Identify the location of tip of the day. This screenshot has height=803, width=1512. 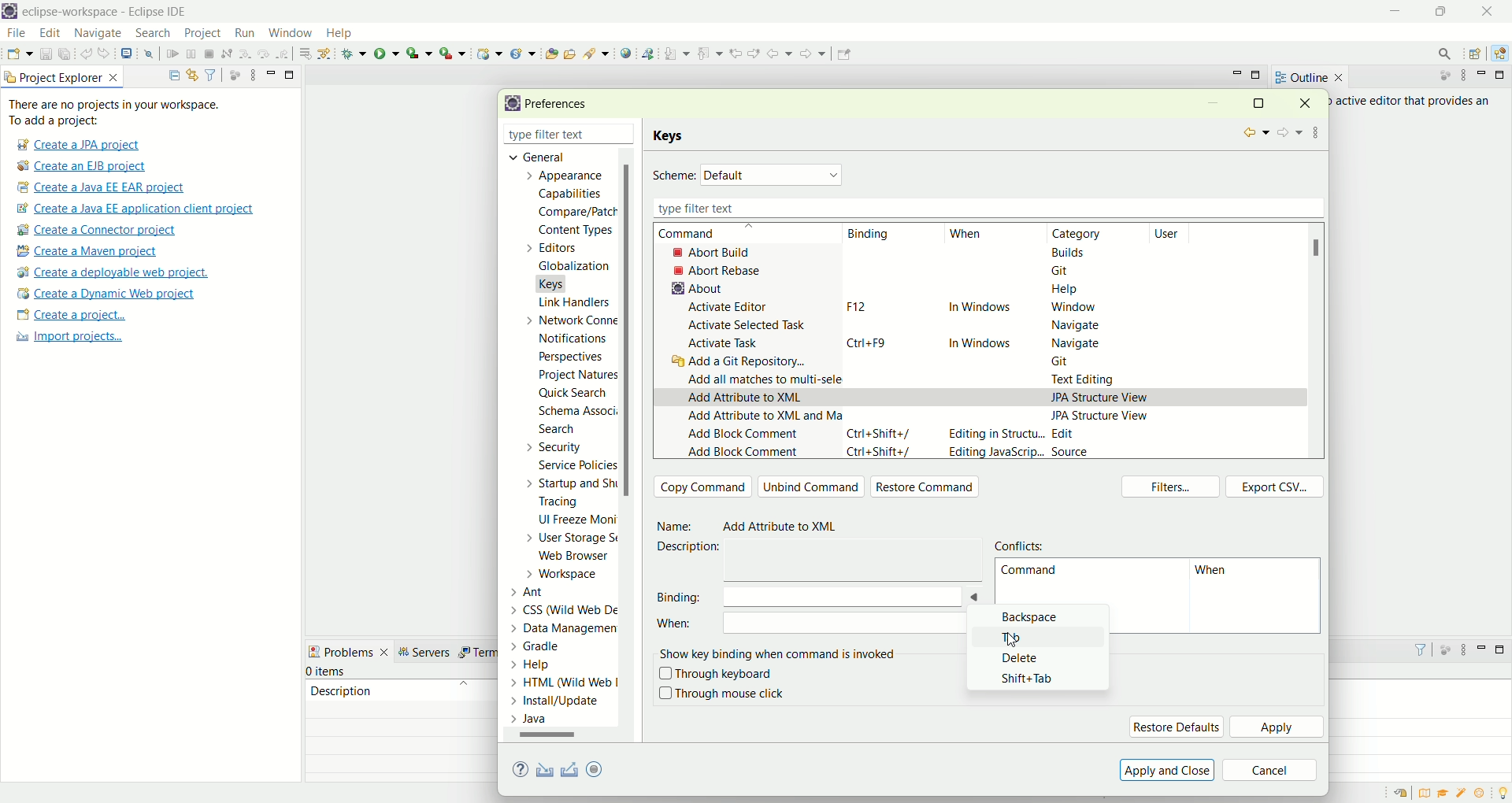
(1503, 791).